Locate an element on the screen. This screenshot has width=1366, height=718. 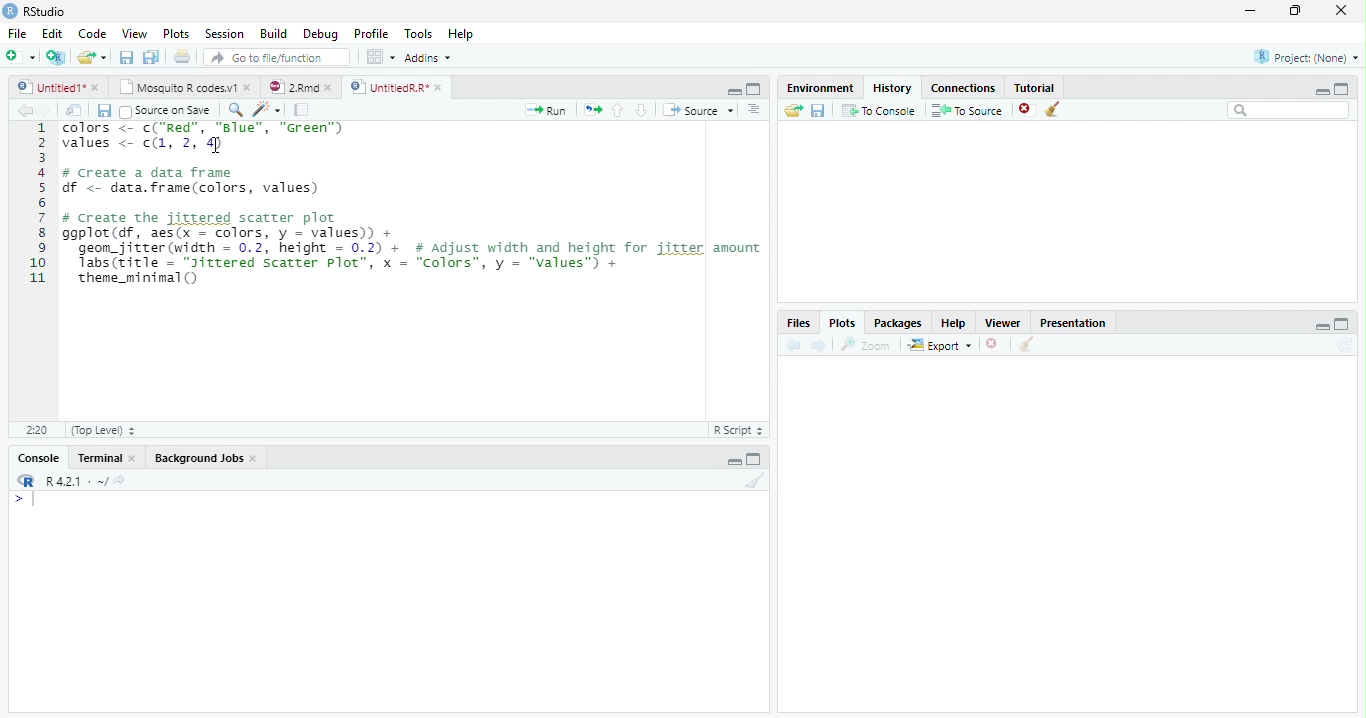
Go forward to next source location is located at coordinates (44, 111).